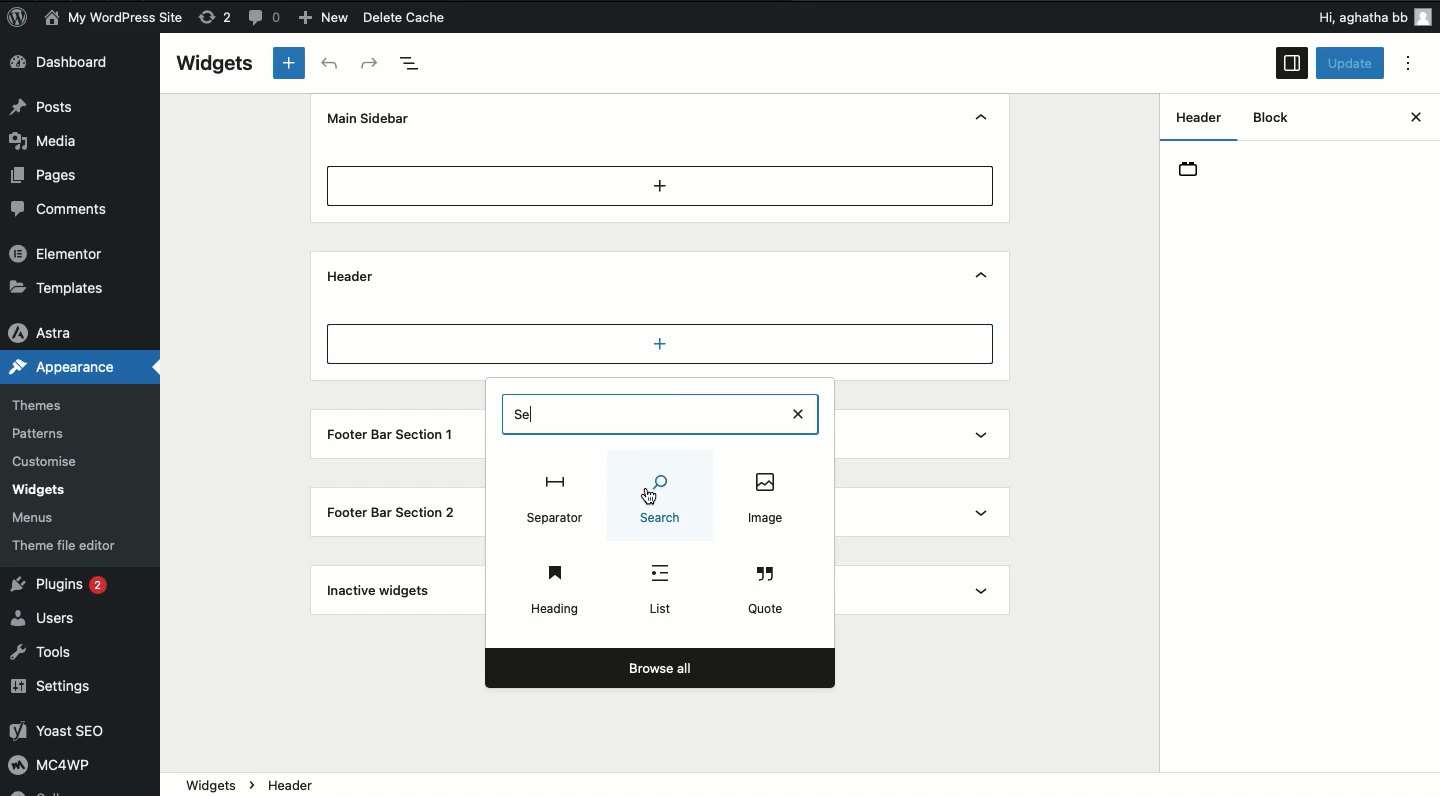  I want to click on Separator, so click(770, 587).